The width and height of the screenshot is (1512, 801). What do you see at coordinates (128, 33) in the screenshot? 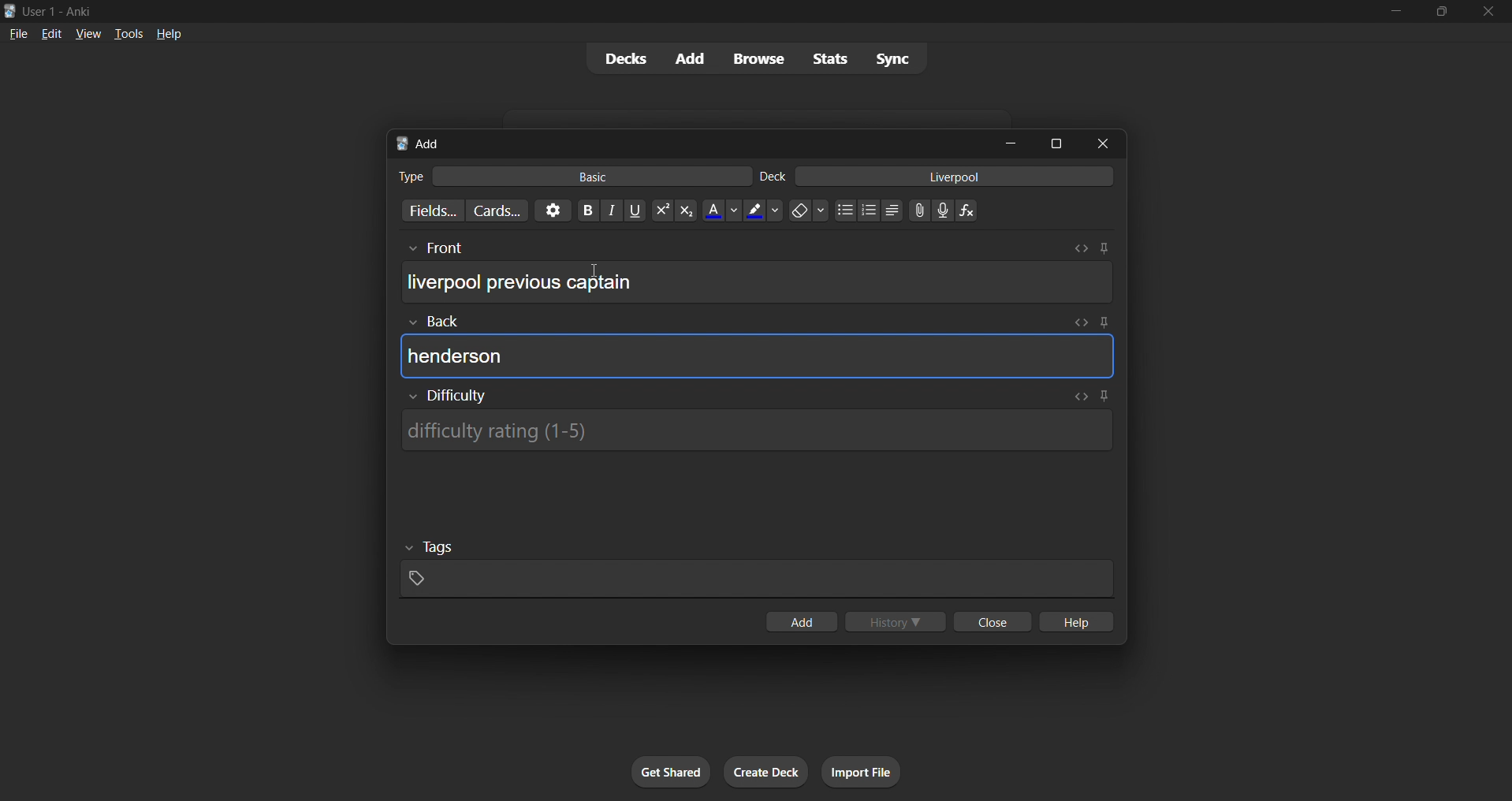
I see `tools` at bounding box center [128, 33].